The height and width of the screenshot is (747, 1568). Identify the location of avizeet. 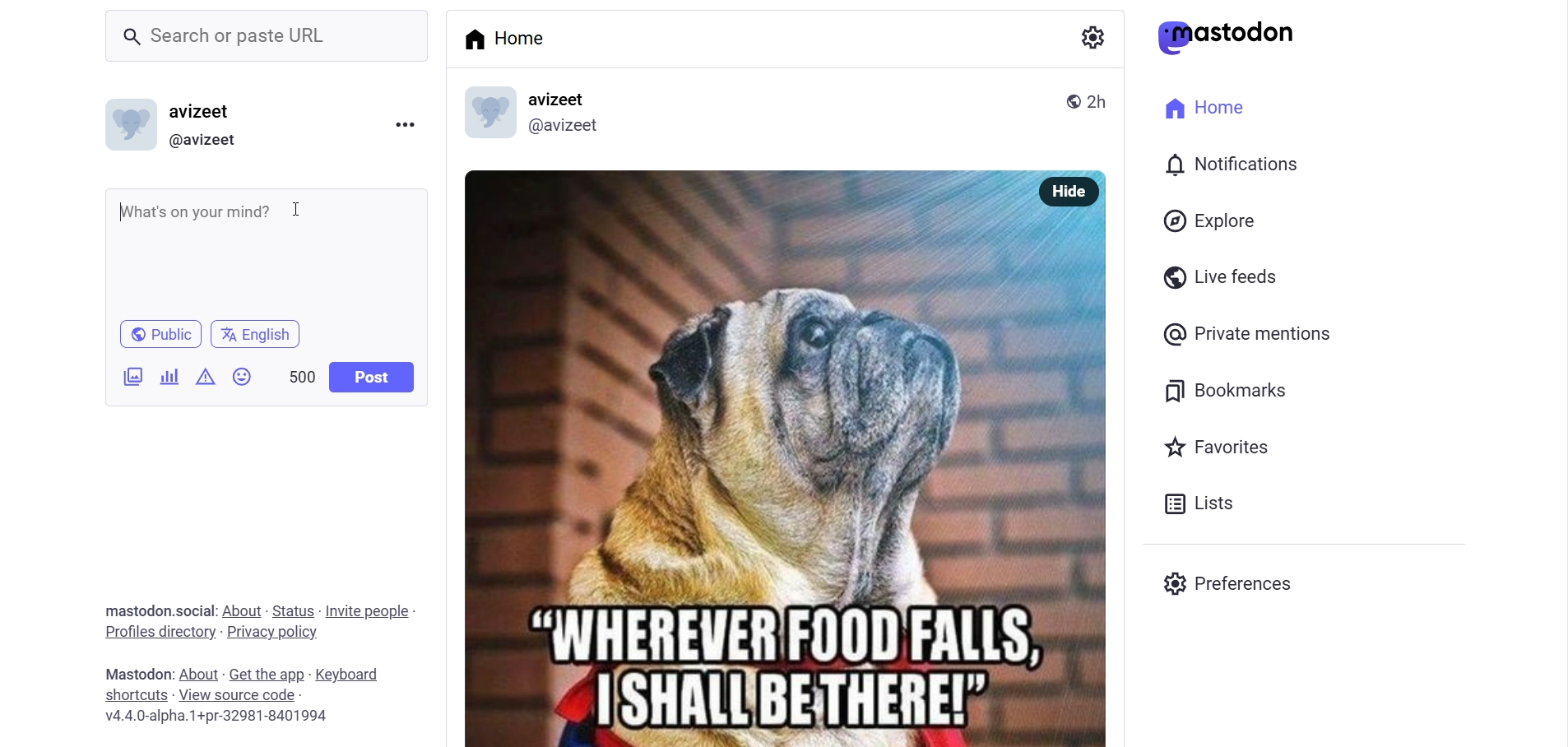
(566, 98).